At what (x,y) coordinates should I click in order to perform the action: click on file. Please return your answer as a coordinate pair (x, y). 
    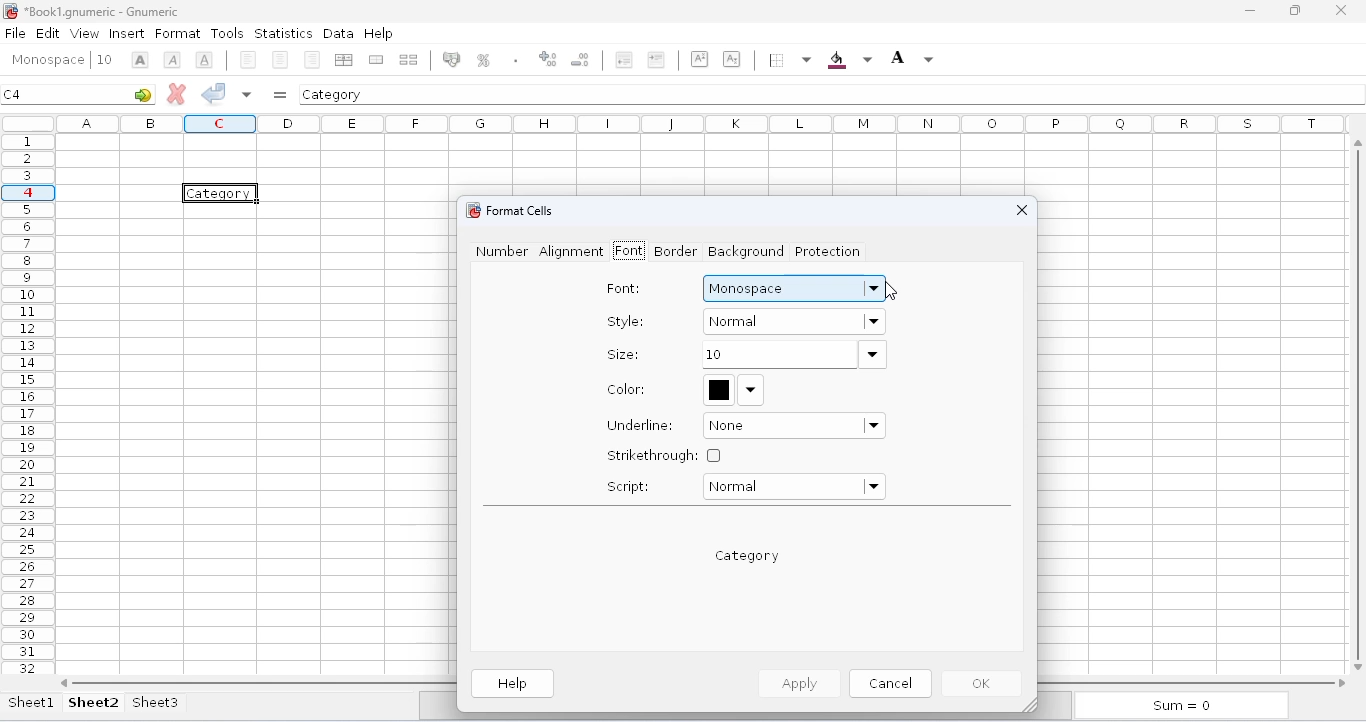
    Looking at the image, I should click on (15, 33).